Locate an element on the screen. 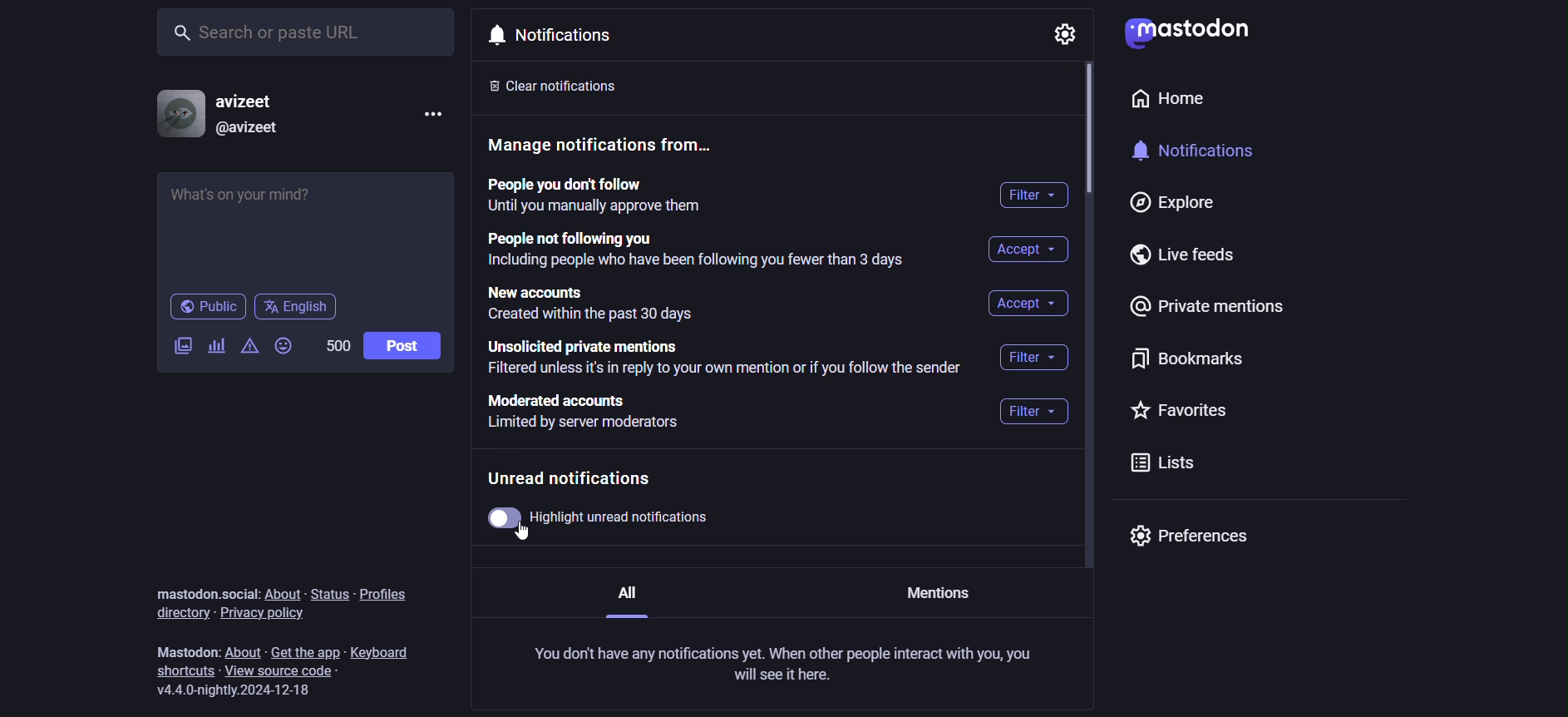 This screenshot has height=717, width=1568. @username is located at coordinates (254, 132).